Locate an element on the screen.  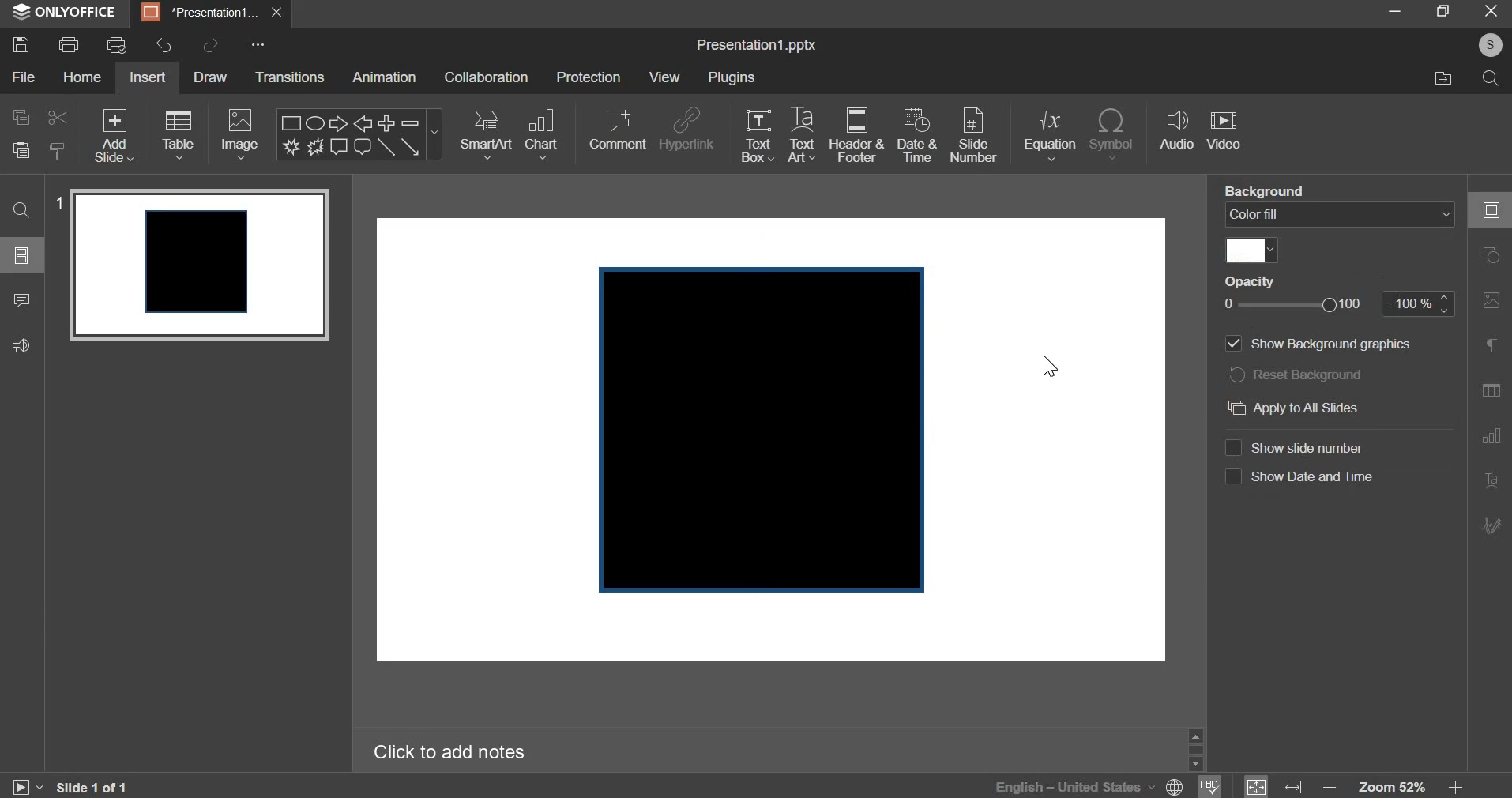
maximize is located at coordinates (1443, 11).